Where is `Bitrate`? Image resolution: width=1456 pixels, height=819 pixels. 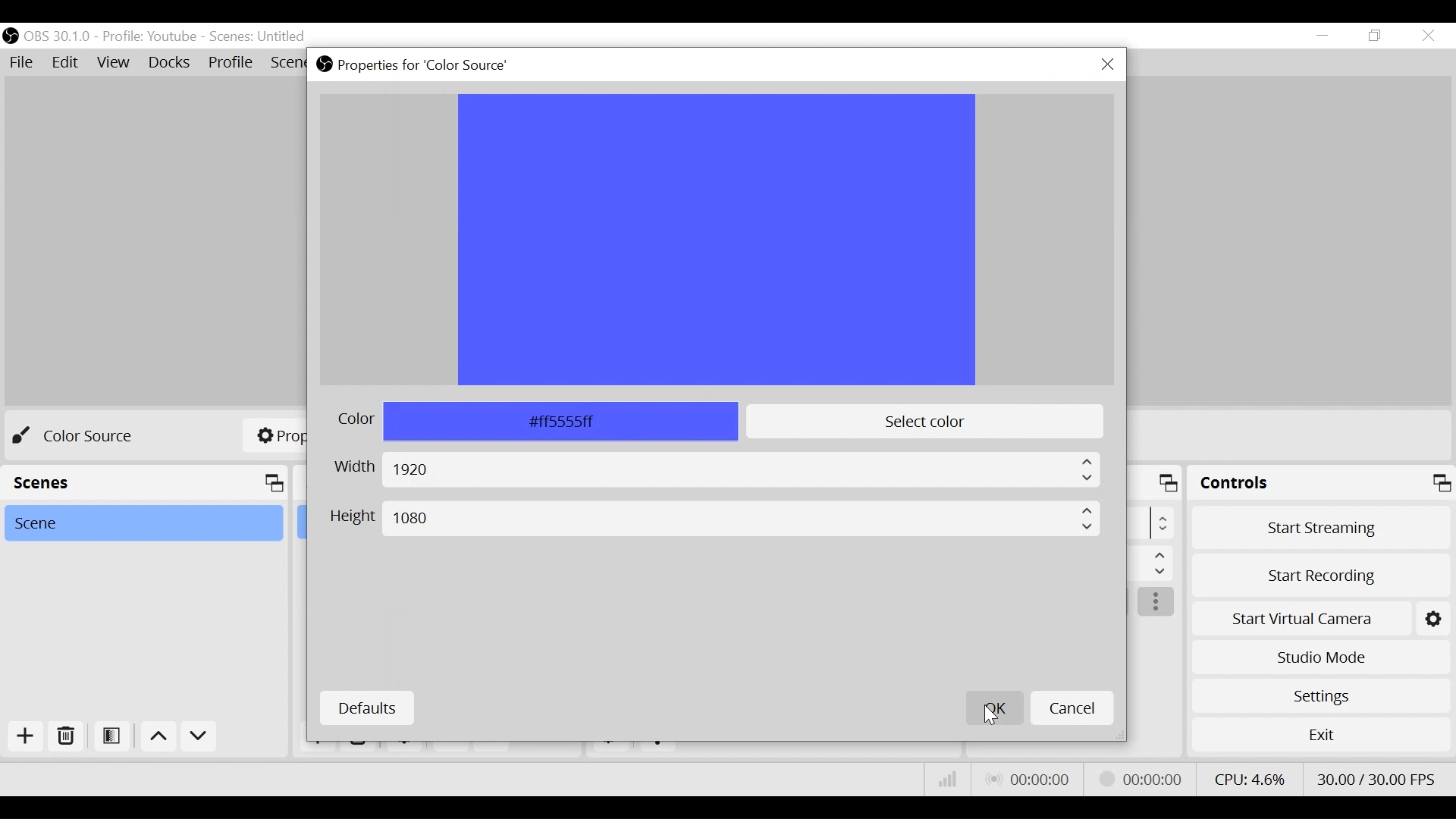
Bitrate is located at coordinates (945, 780).